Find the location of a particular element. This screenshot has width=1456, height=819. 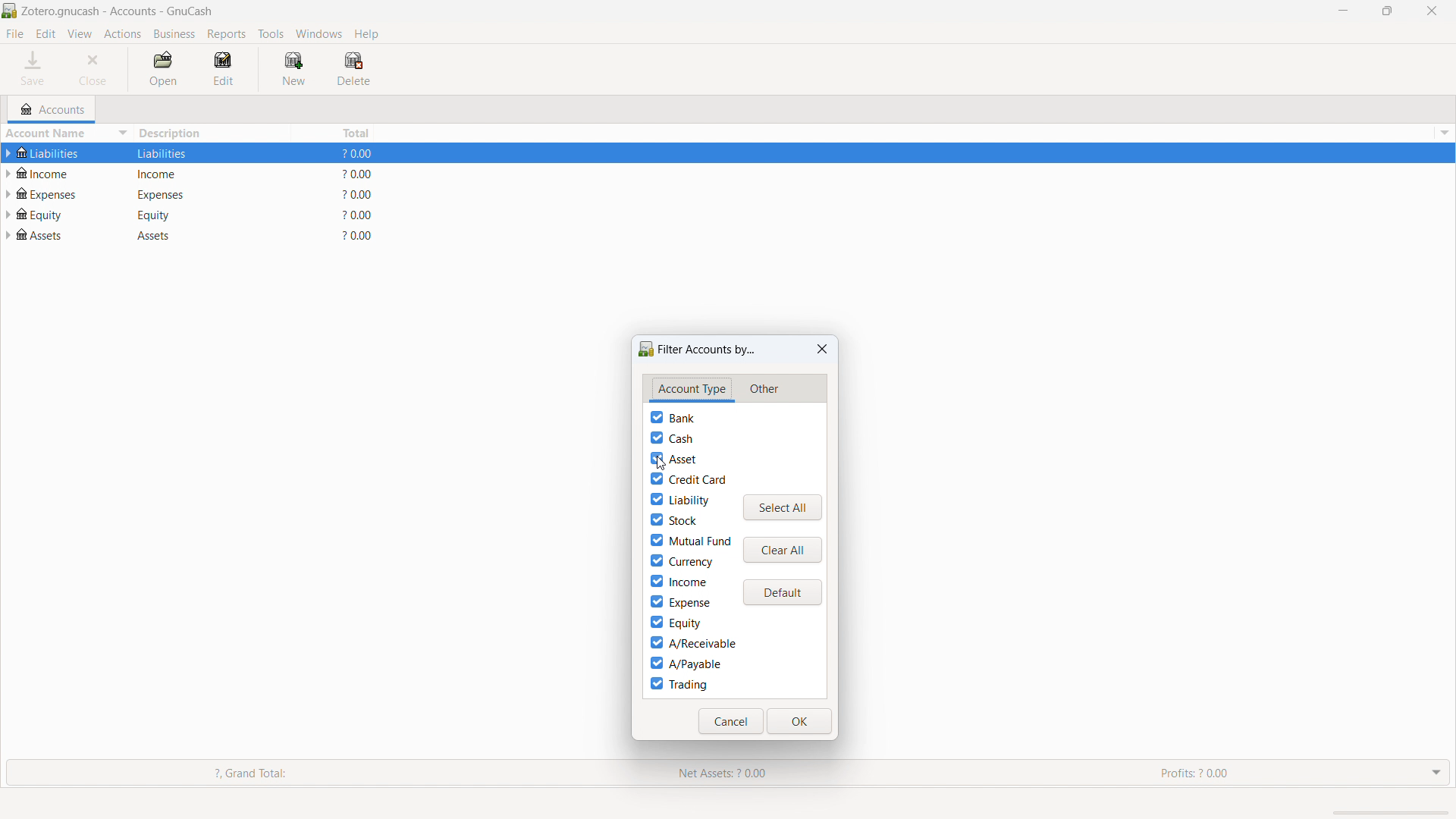

new is located at coordinates (293, 68).